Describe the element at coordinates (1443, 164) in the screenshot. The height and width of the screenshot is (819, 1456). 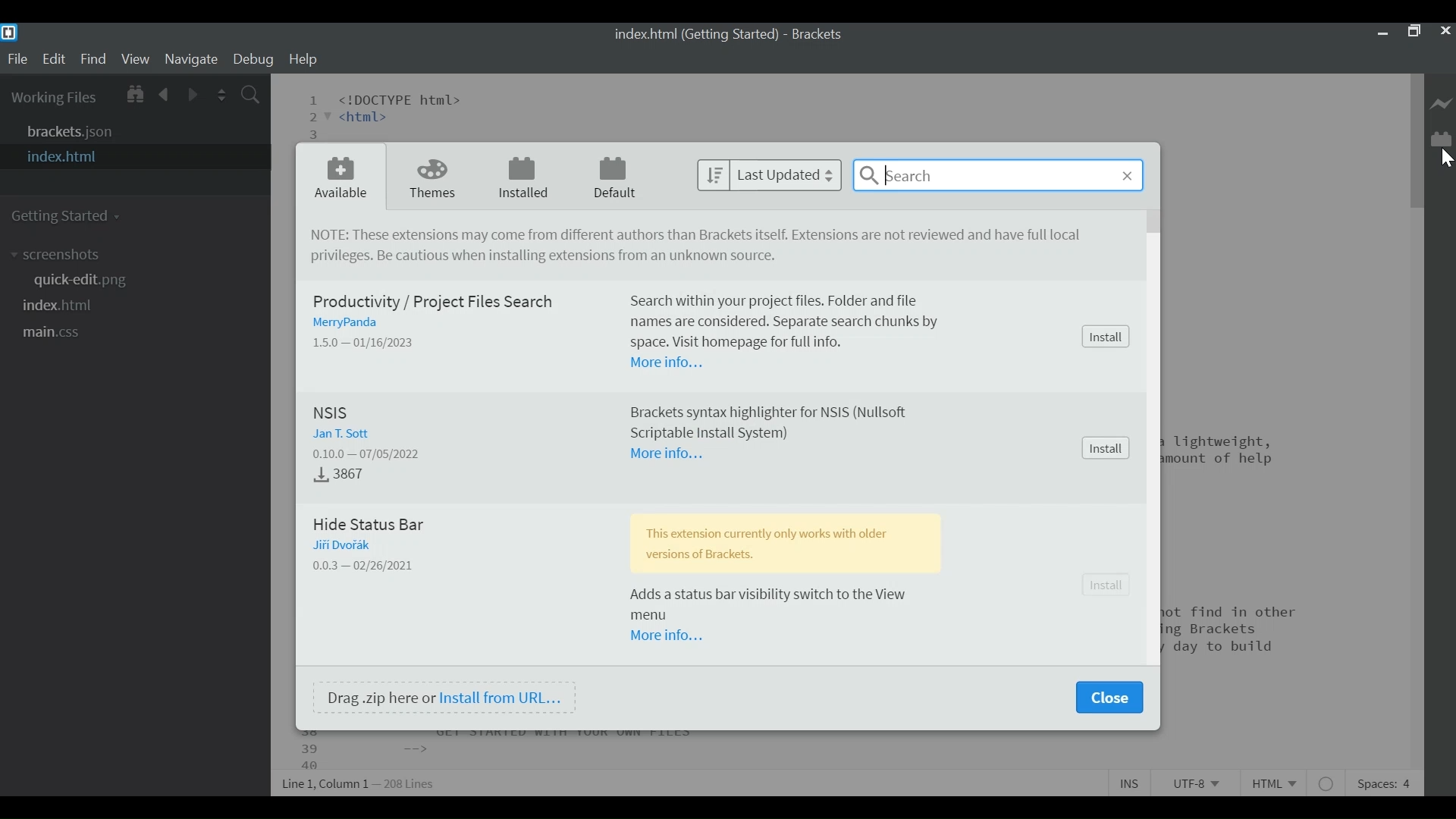
I see `Cursor` at that location.